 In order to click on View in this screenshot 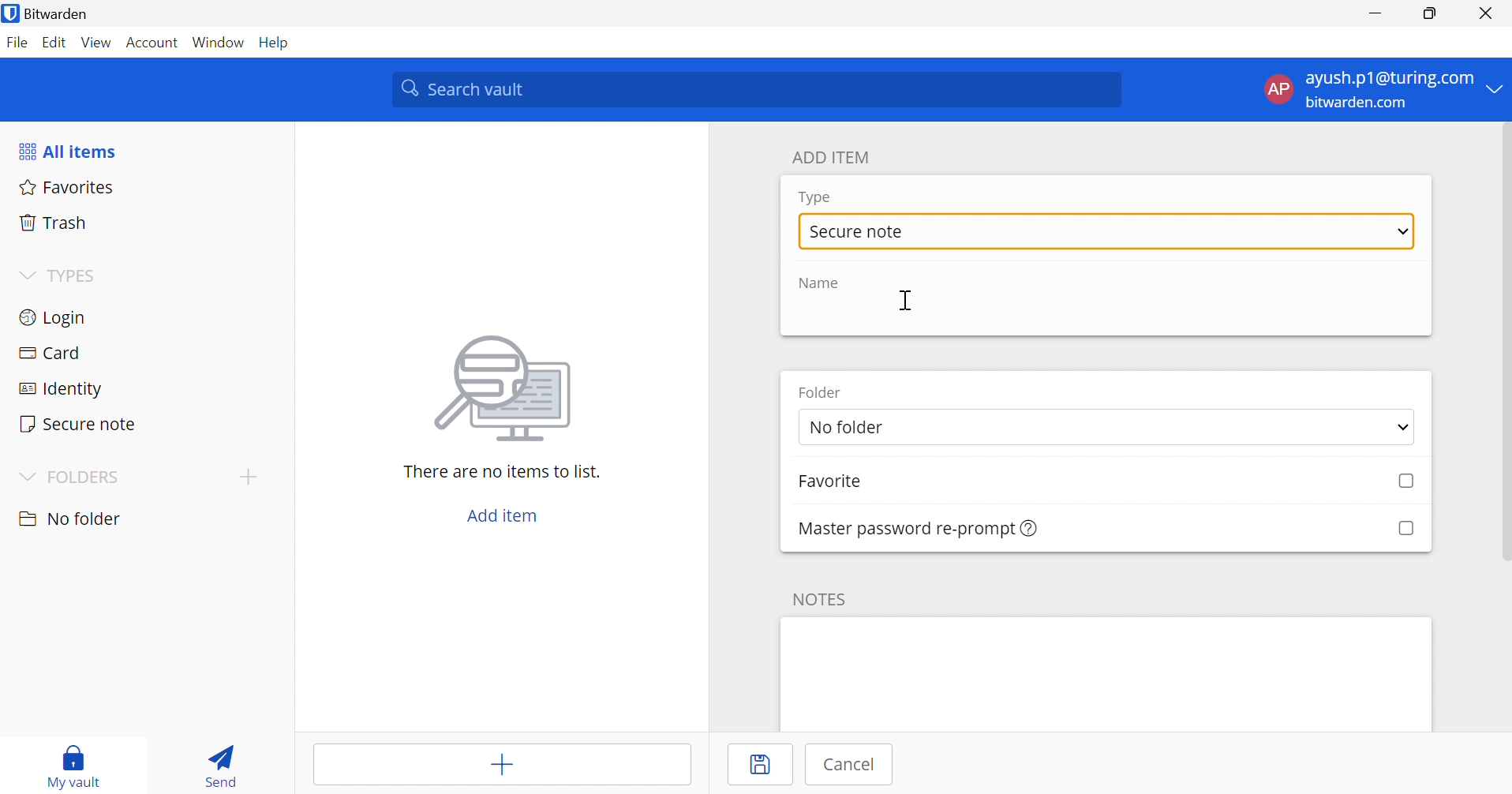, I will do `click(96, 42)`.